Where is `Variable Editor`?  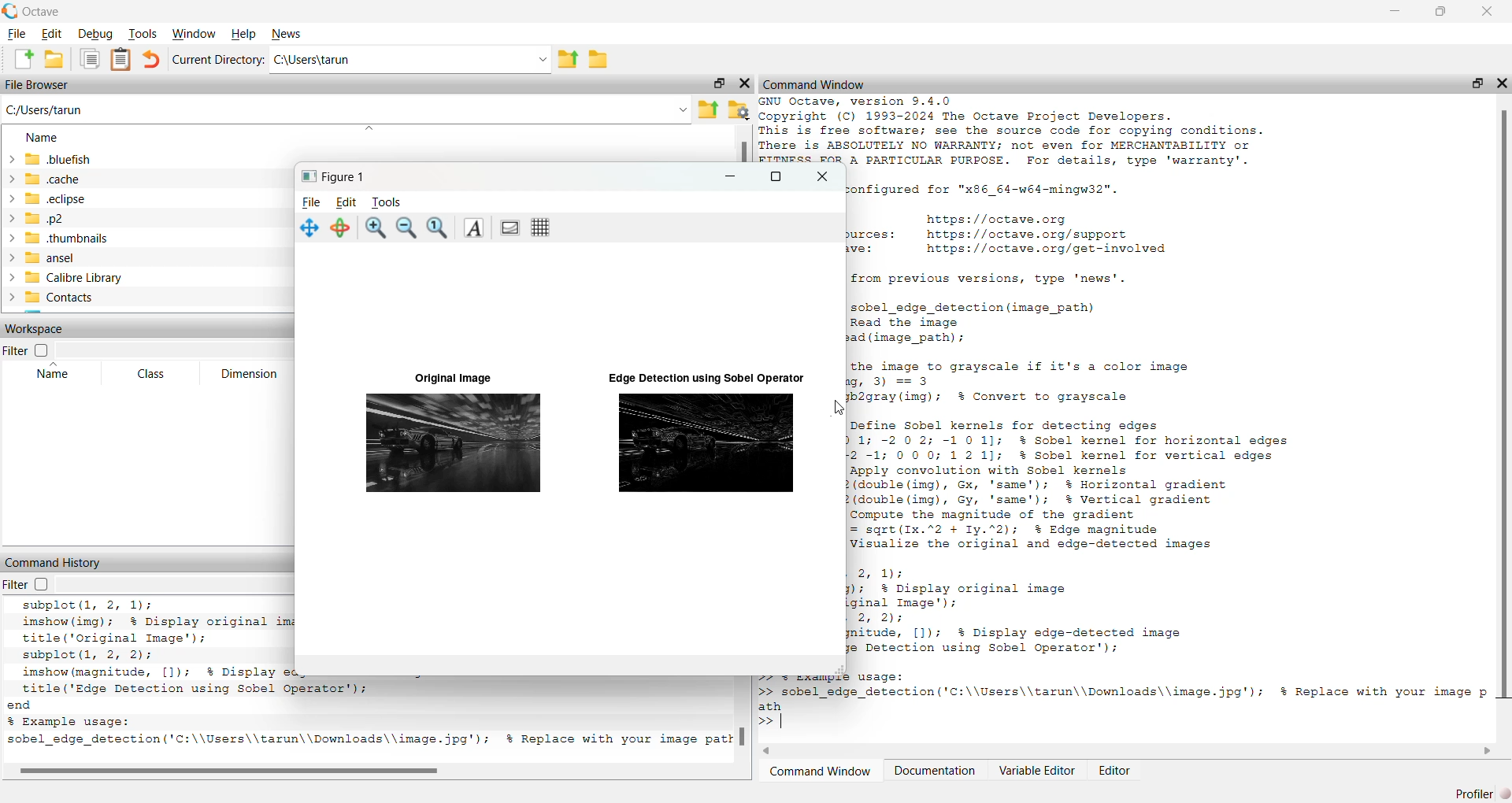
Variable Editor is located at coordinates (1038, 773).